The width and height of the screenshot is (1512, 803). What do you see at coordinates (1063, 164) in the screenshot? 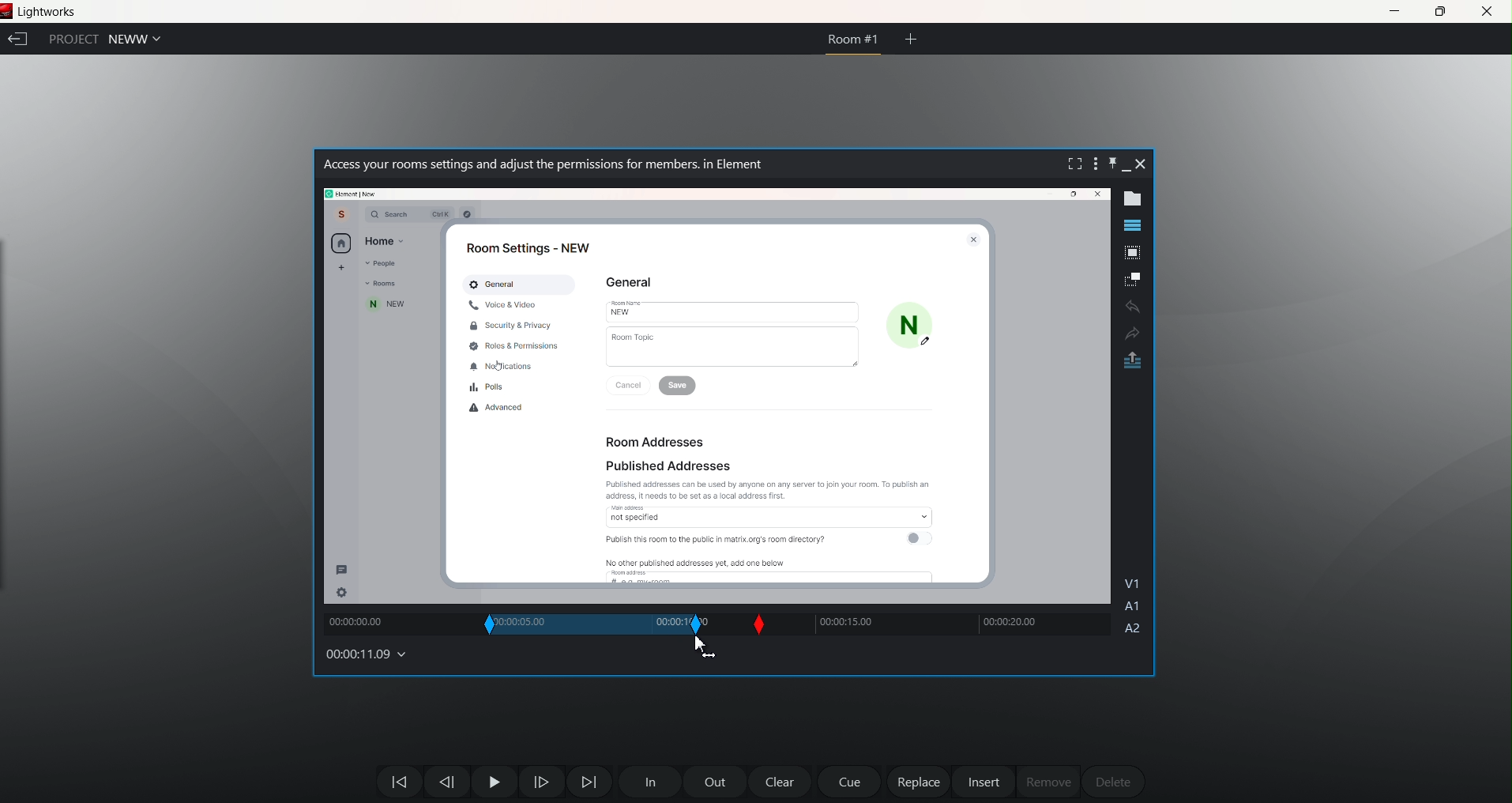
I see `fullscreen` at bounding box center [1063, 164].